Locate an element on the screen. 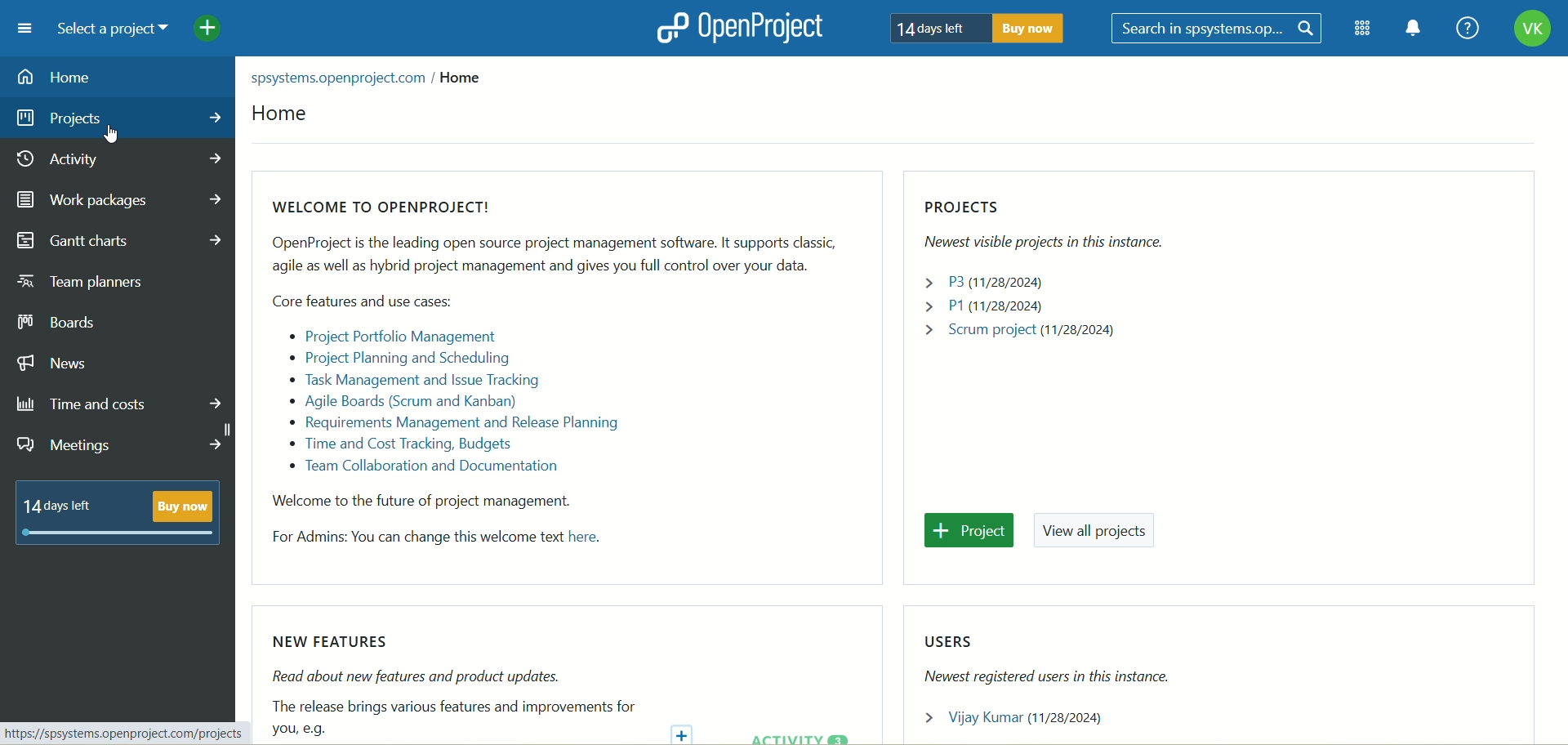 This screenshot has width=1568, height=745. https://spsystems.openproject.com/projects is located at coordinates (122, 729).